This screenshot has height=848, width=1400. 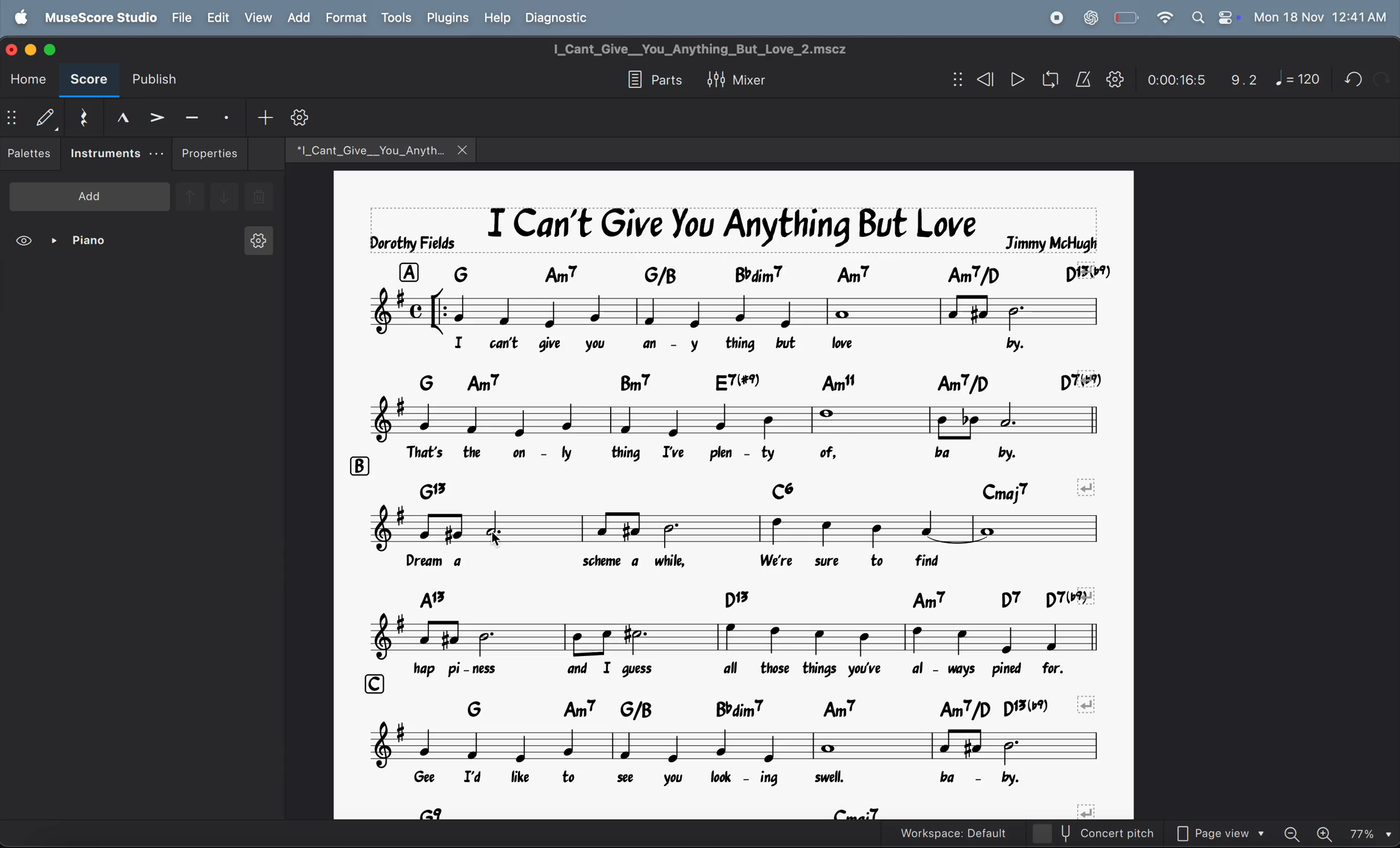 What do you see at coordinates (217, 18) in the screenshot?
I see `edit` at bounding box center [217, 18].